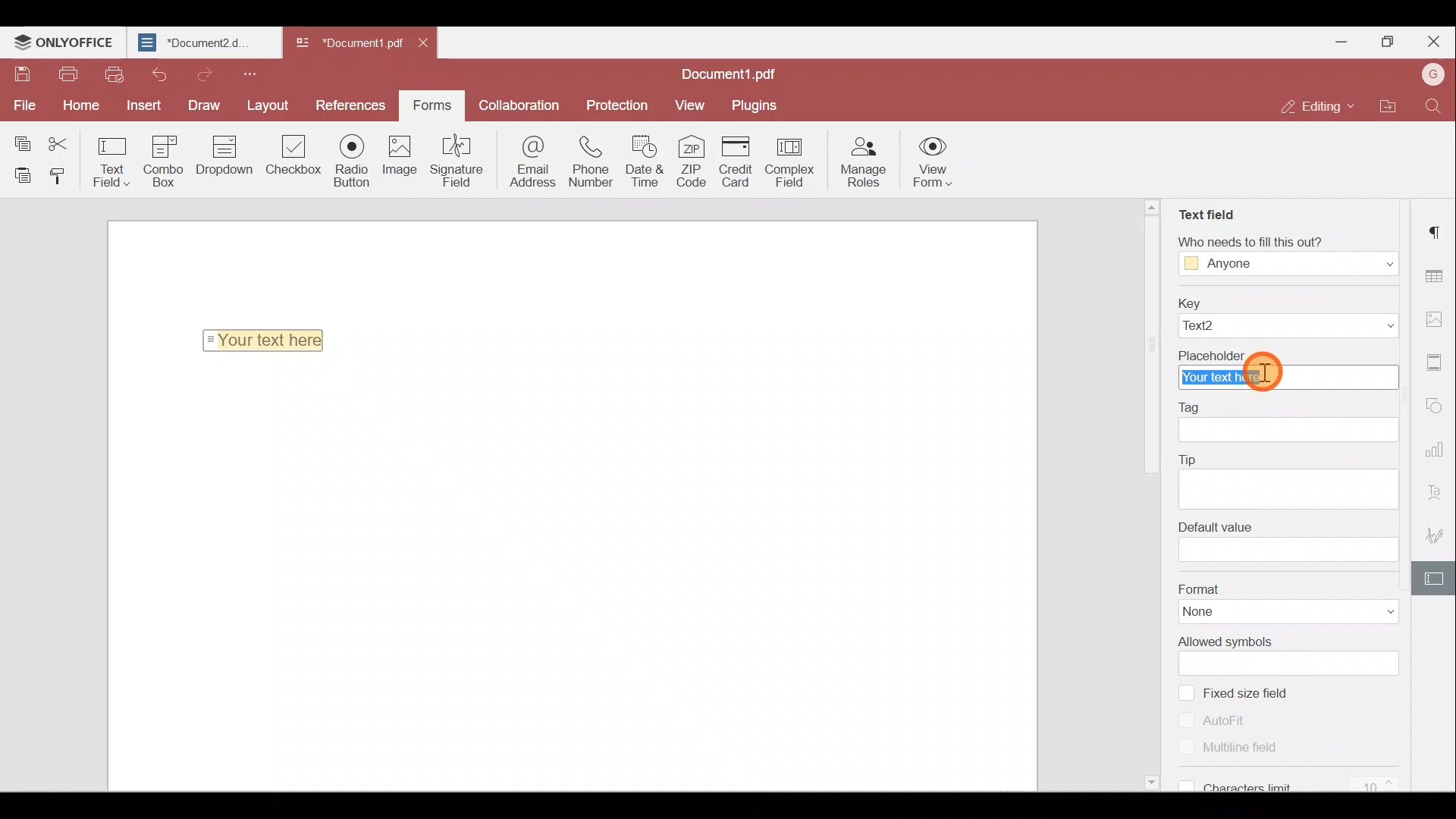  What do you see at coordinates (570, 577) in the screenshot?
I see `Working area` at bounding box center [570, 577].